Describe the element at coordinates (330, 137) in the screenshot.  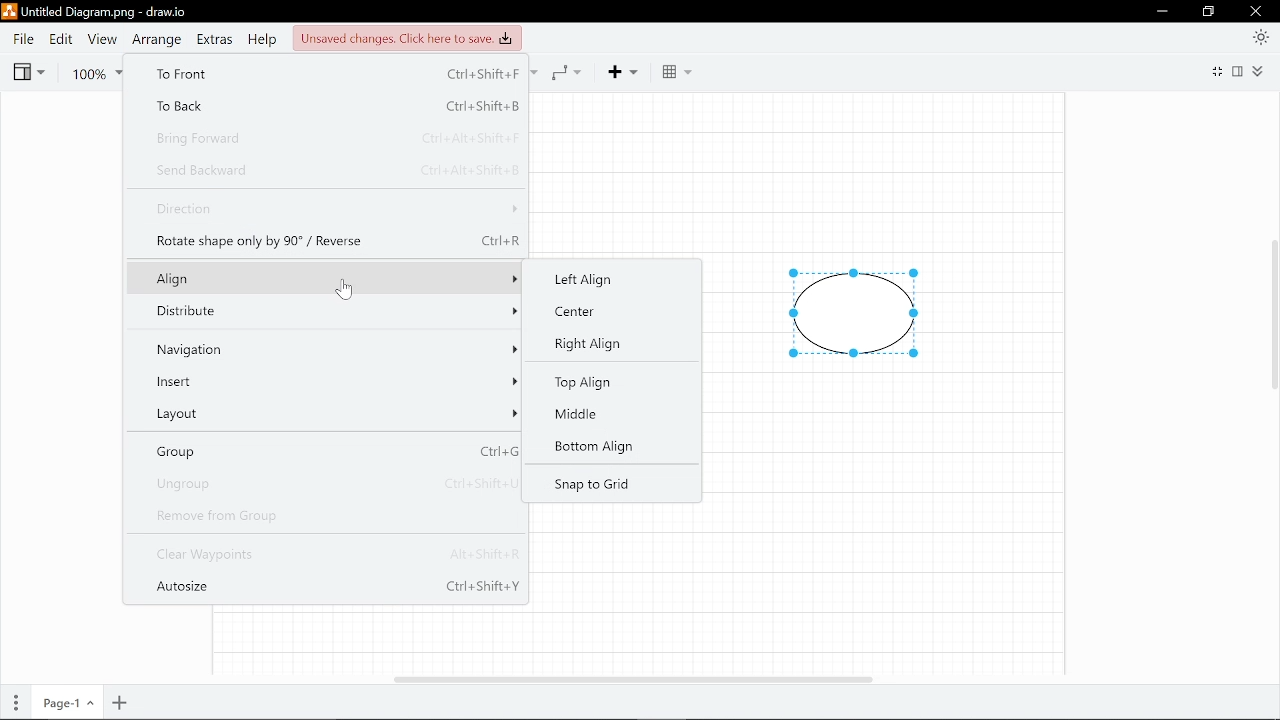
I see `Bring Forward` at that location.